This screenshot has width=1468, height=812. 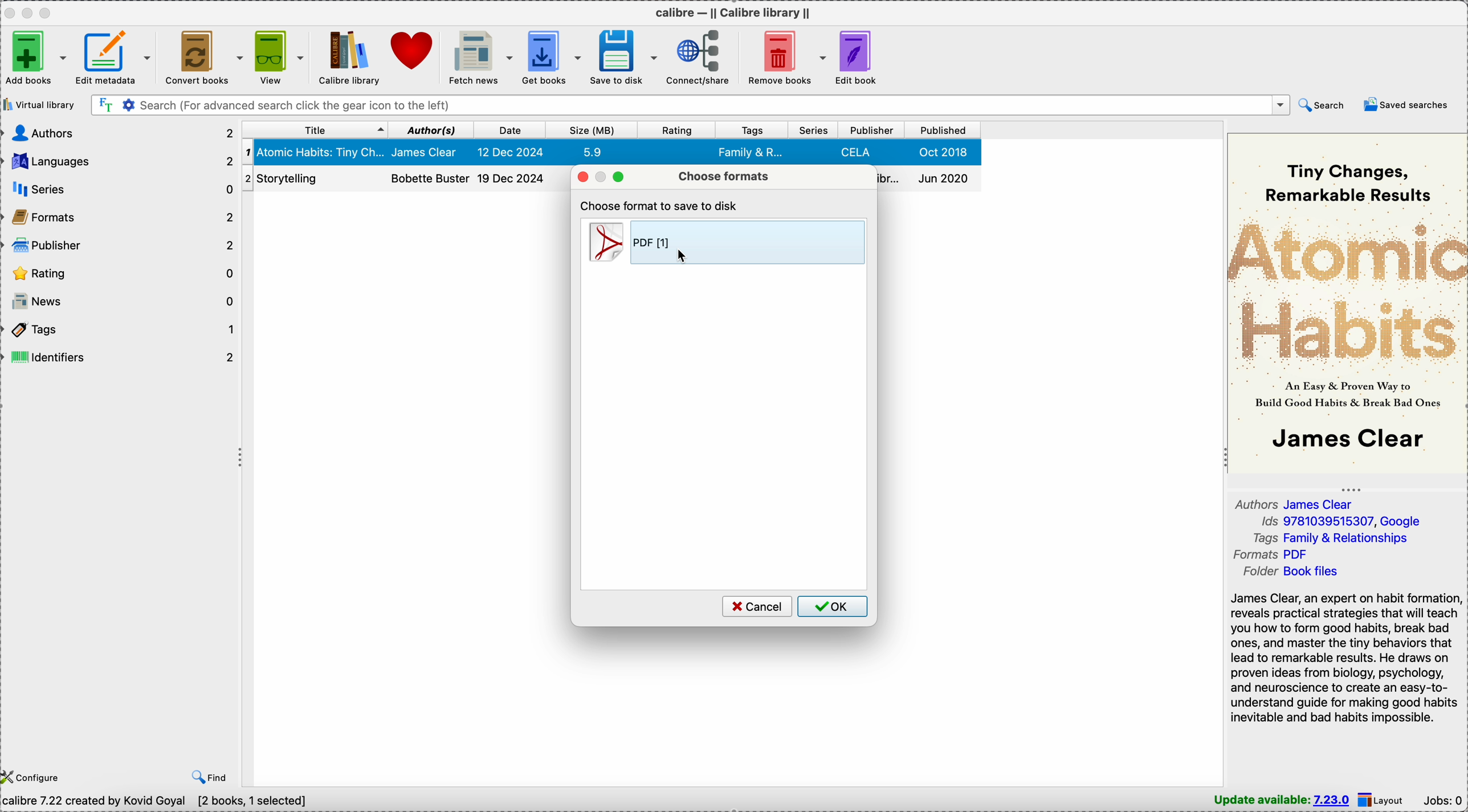 I want to click on series, so click(x=814, y=129).